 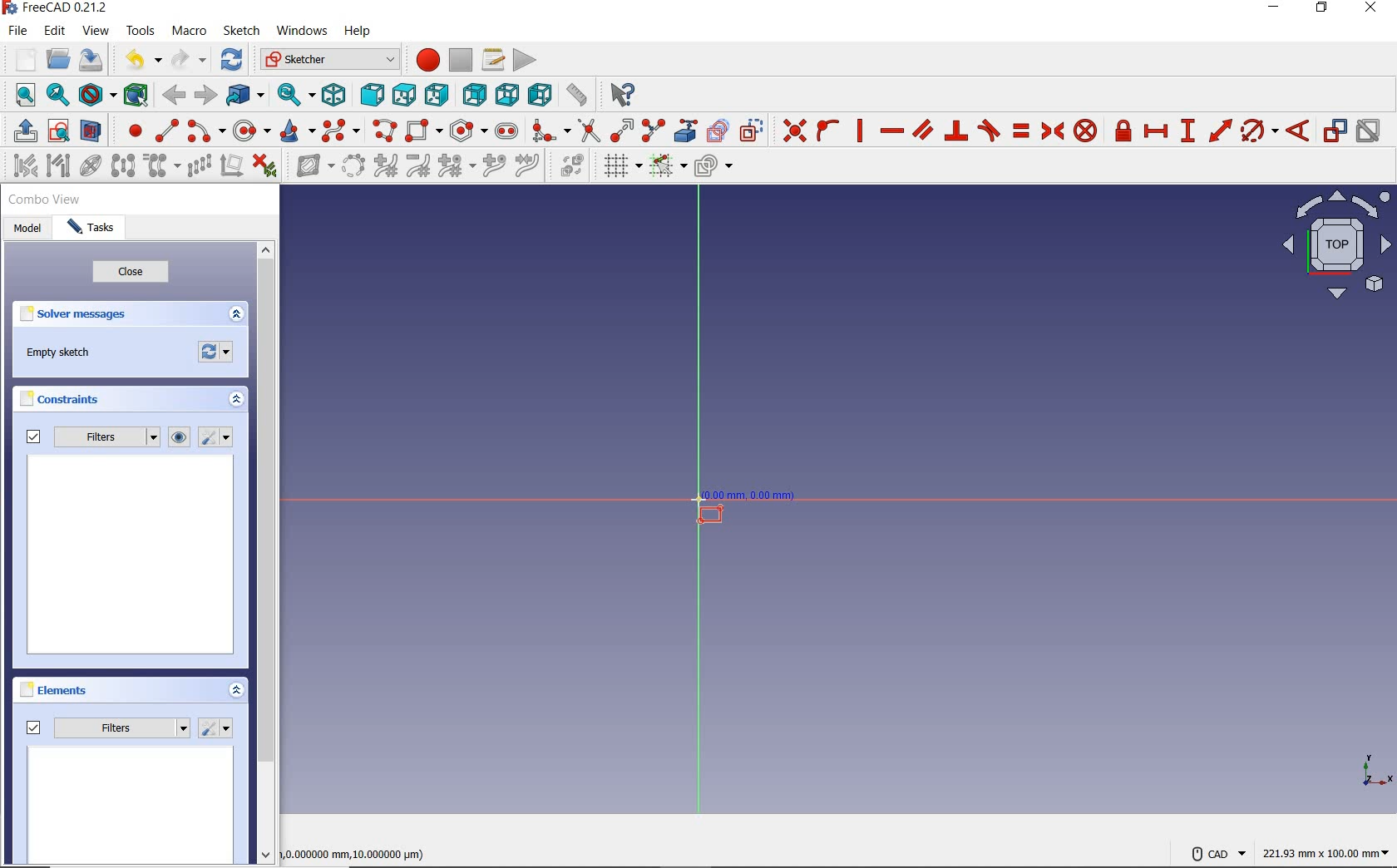 What do you see at coordinates (242, 31) in the screenshot?
I see `sketch` at bounding box center [242, 31].